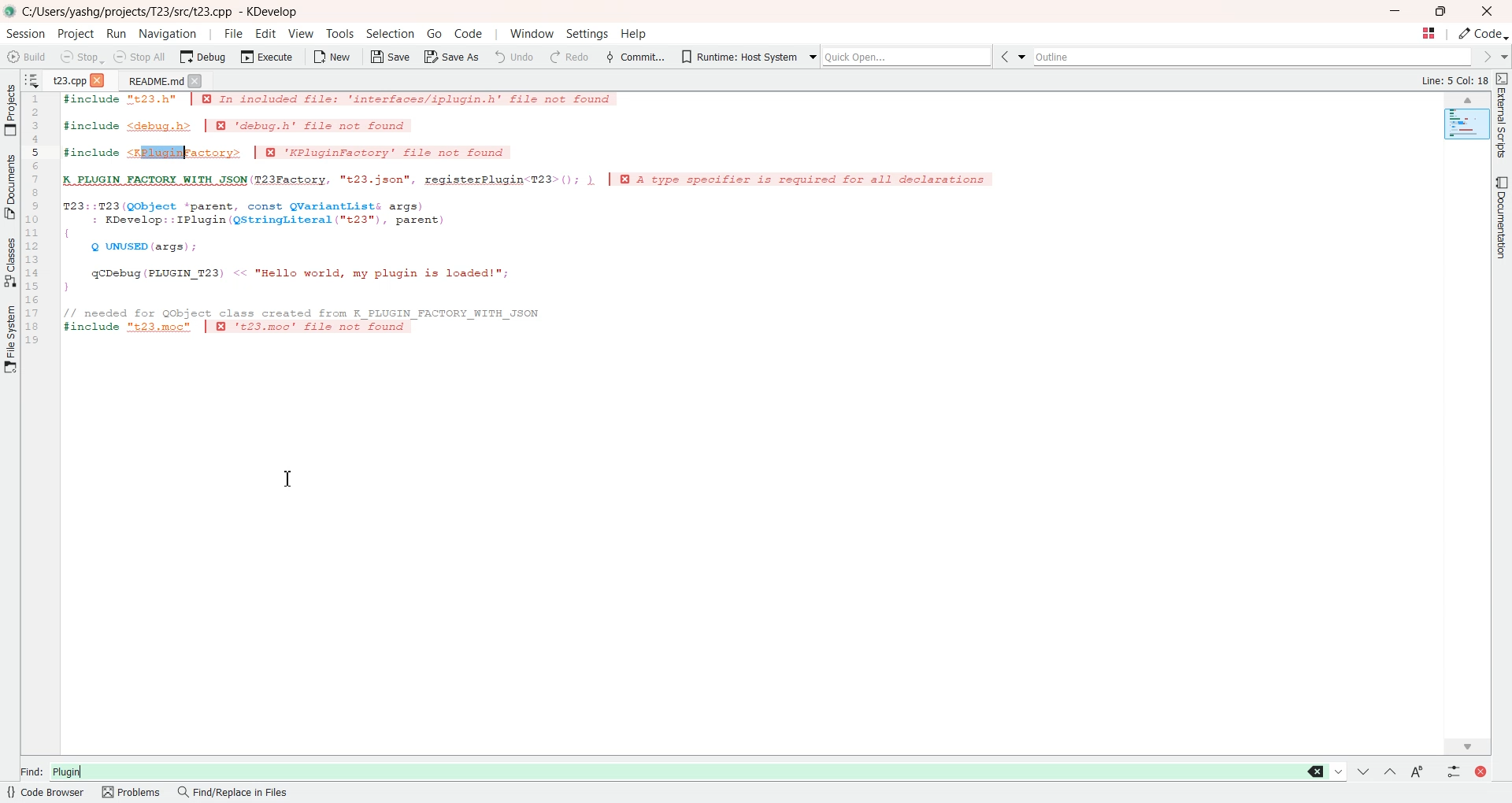 This screenshot has width=1512, height=803. Describe the element at coordinates (434, 33) in the screenshot. I see `go` at that location.